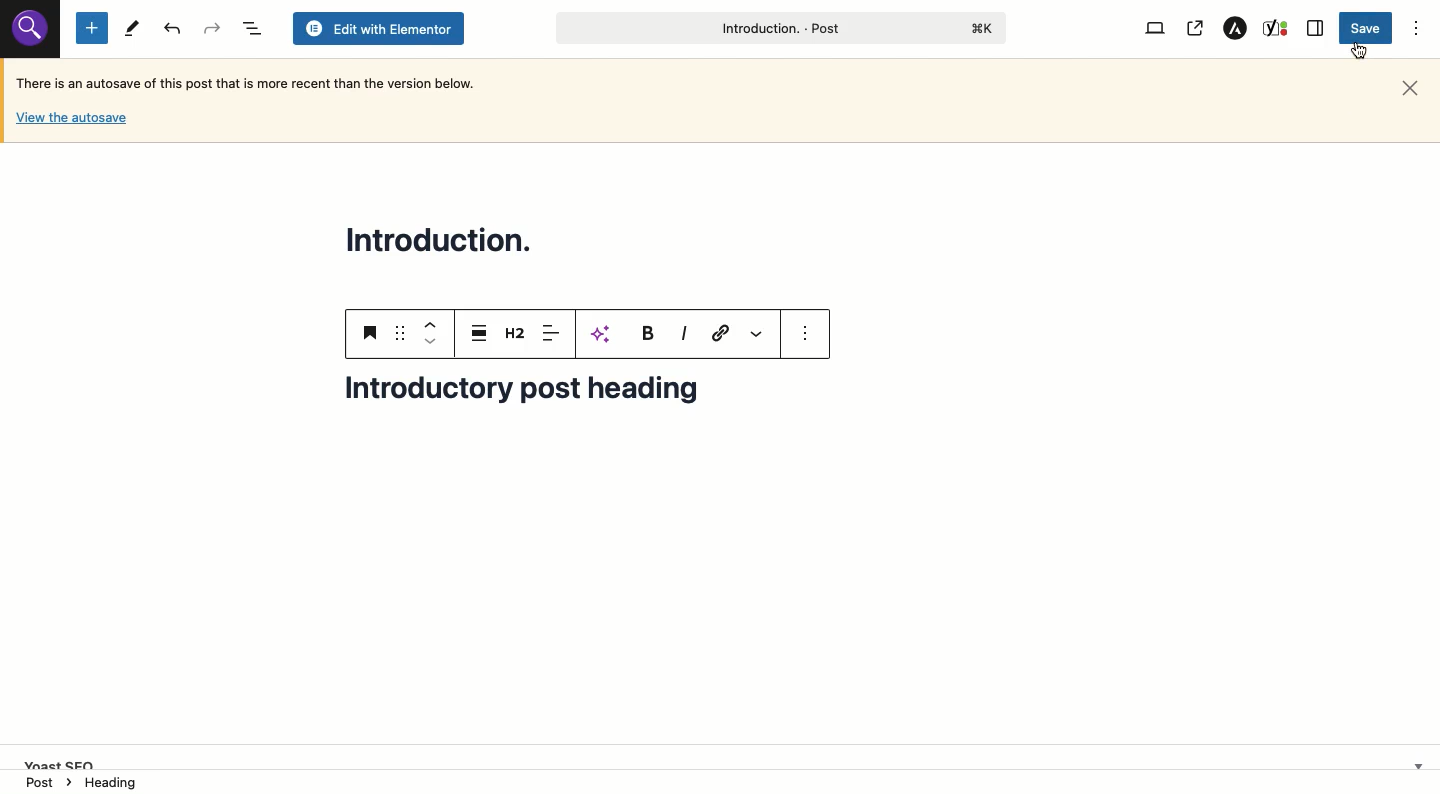 The width and height of the screenshot is (1440, 794). What do you see at coordinates (537, 399) in the screenshot?
I see `Introductory post heading` at bounding box center [537, 399].